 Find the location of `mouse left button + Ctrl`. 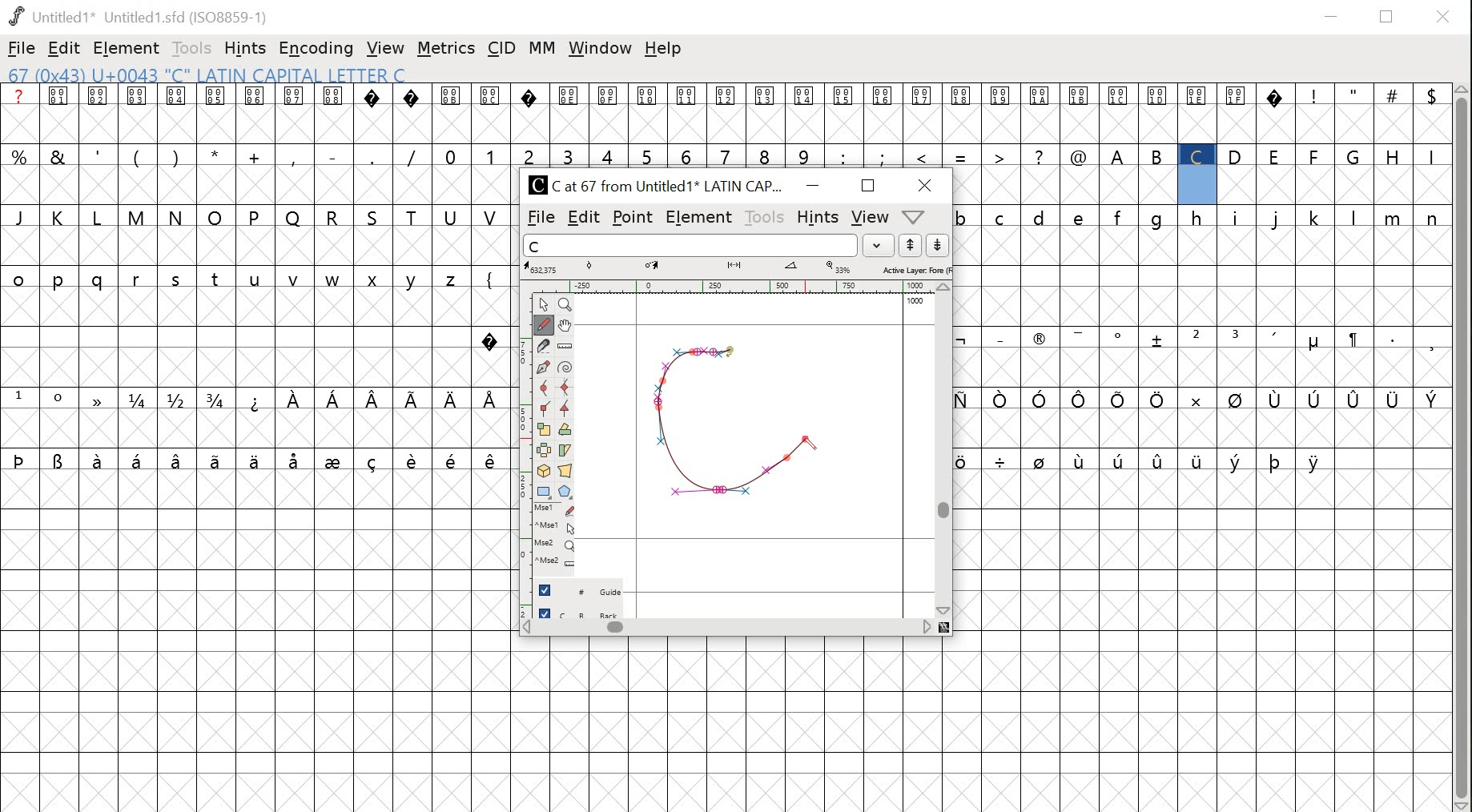

mouse left button + Ctrl is located at coordinates (557, 529).